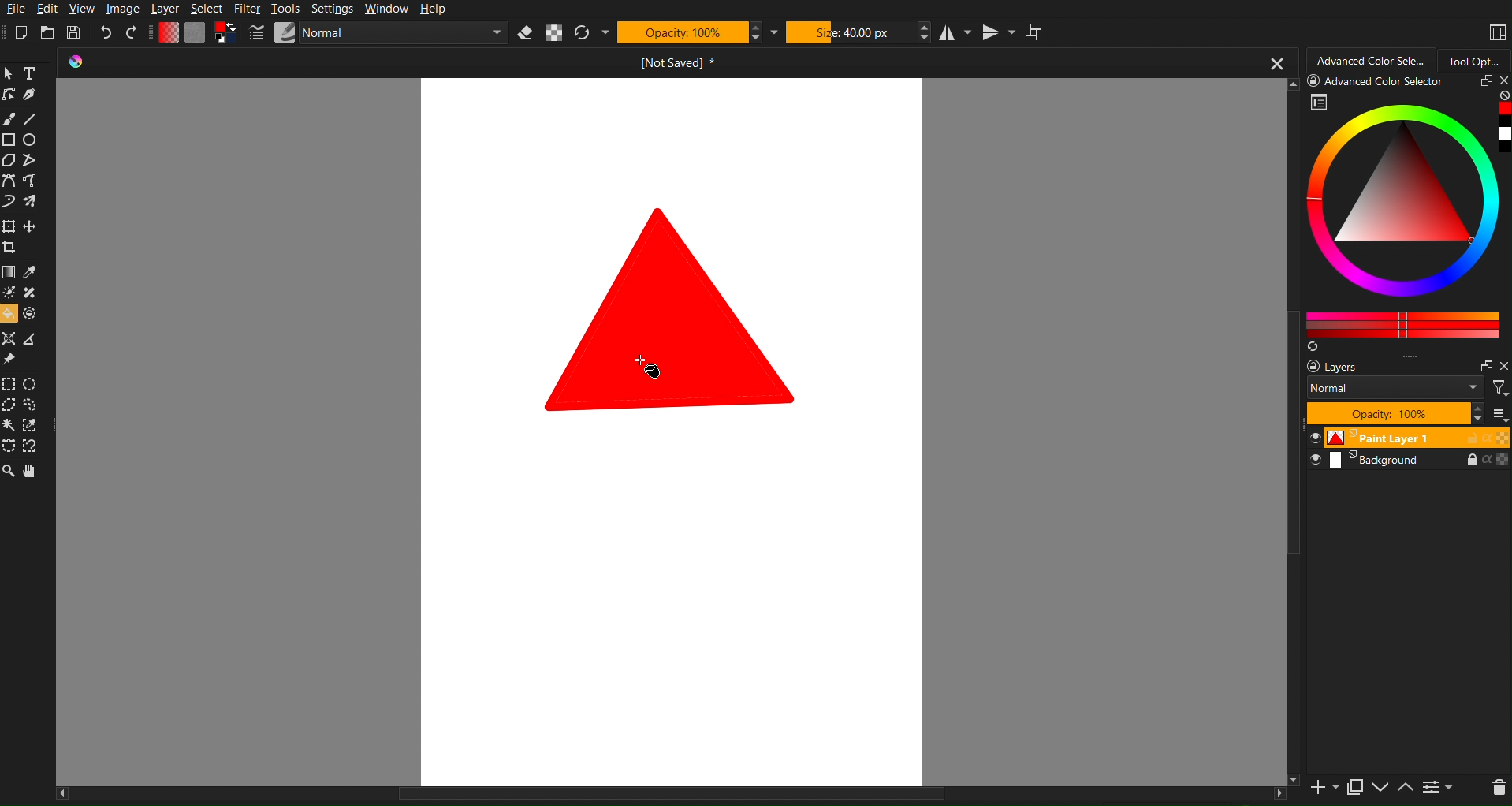  What do you see at coordinates (10, 160) in the screenshot?
I see `polygon tool` at bounding box center [10, 160].